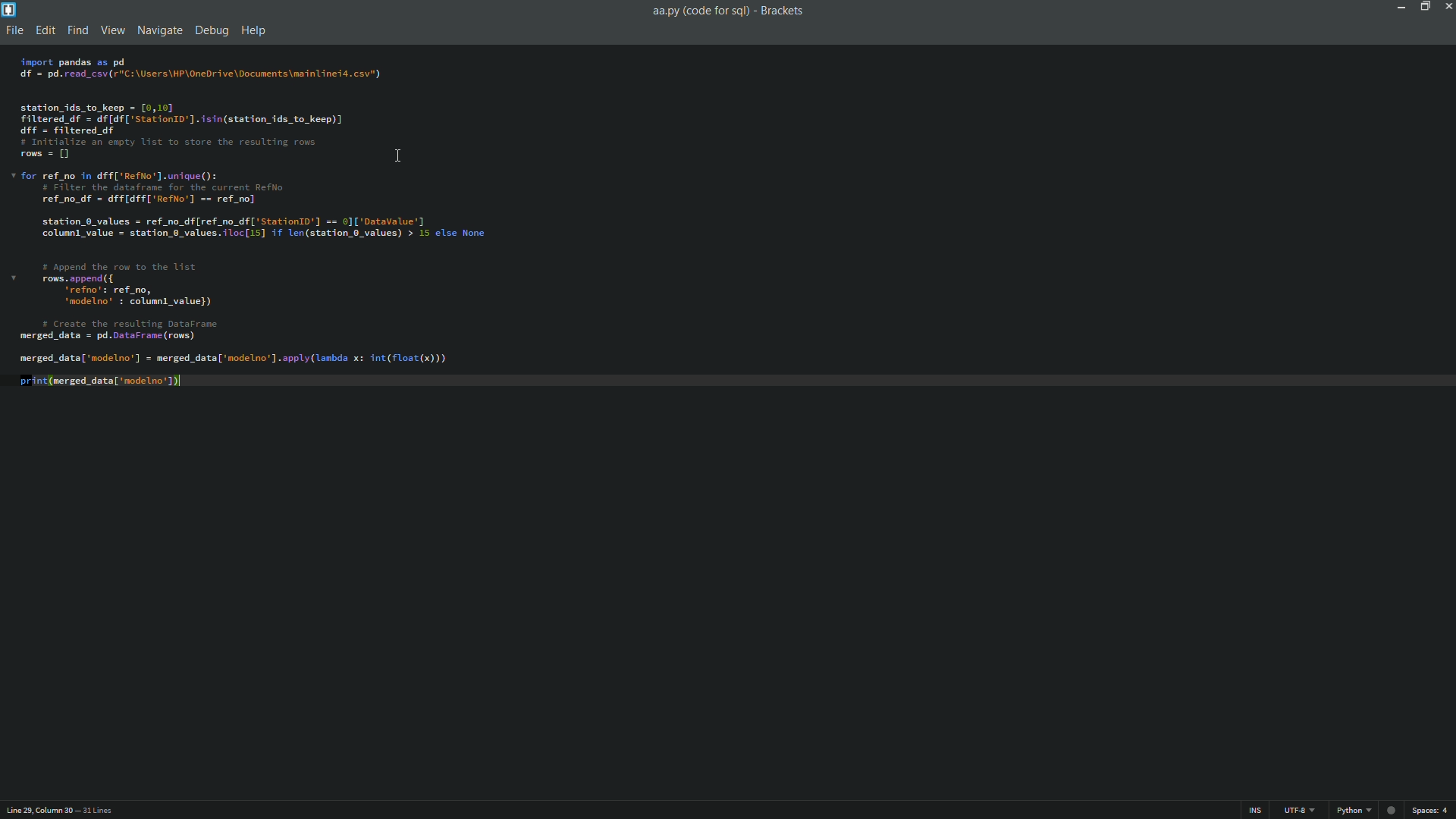 This screenshot has width=1456, height=819. Describe the element at coordinates (398, 158) in the screenshot. I see `Text cursor` at that location.